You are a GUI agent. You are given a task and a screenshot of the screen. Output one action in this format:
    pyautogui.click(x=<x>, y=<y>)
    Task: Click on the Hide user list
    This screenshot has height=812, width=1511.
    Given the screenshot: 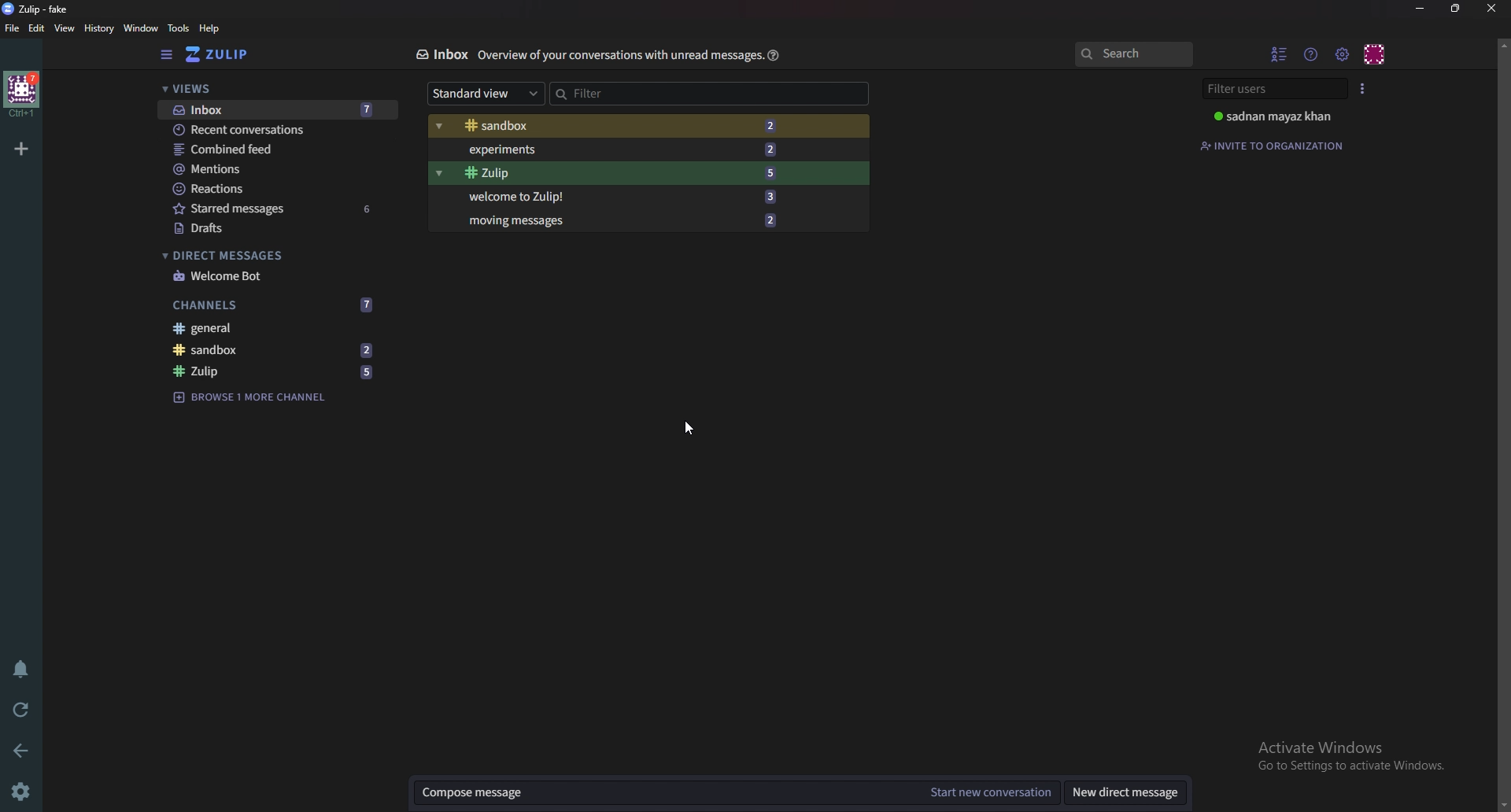 What is the action you would take?
    pyautogui.click(x=1280, y=54)
    